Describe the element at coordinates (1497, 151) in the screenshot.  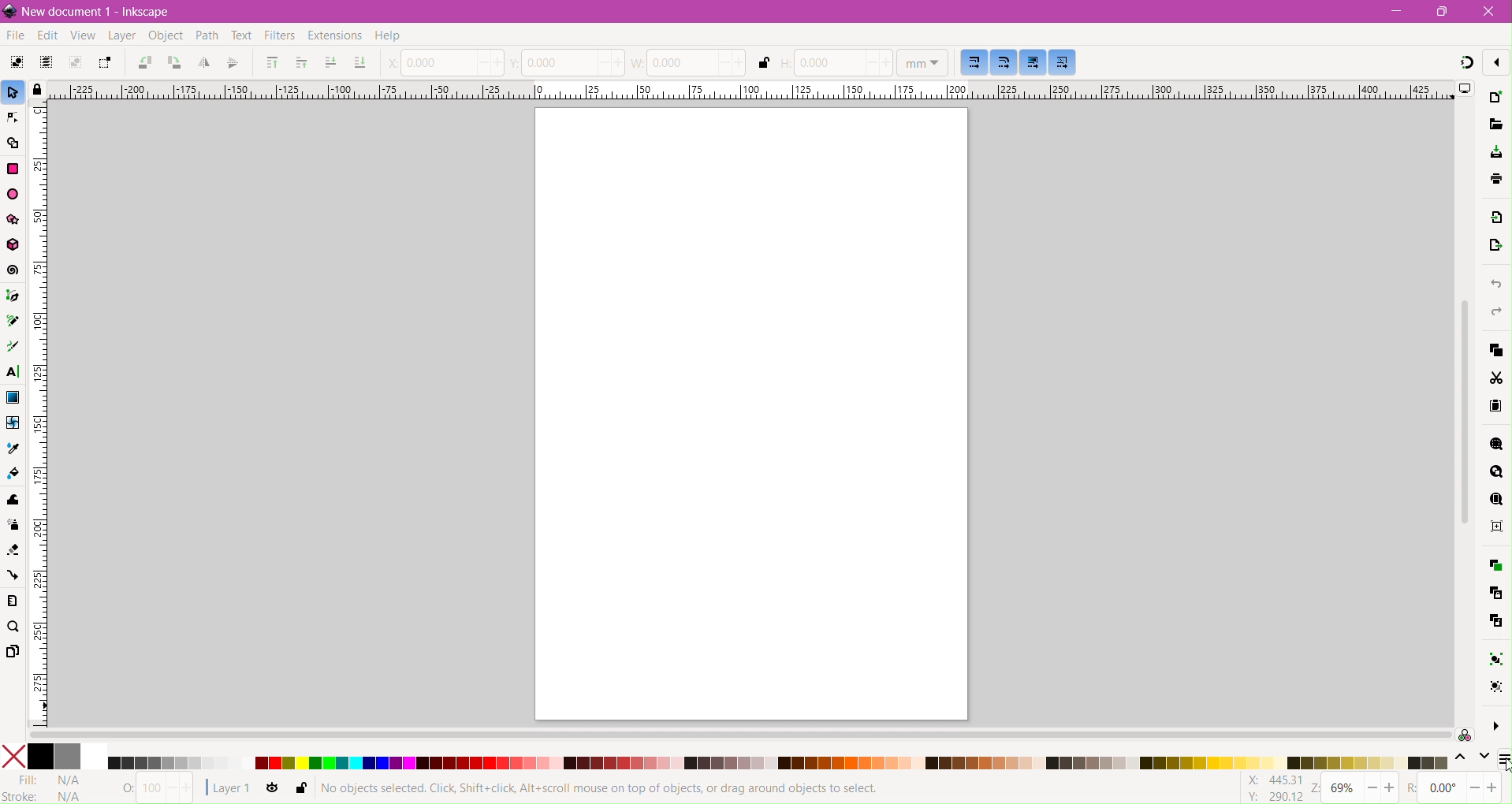
I see `Save` at that location.